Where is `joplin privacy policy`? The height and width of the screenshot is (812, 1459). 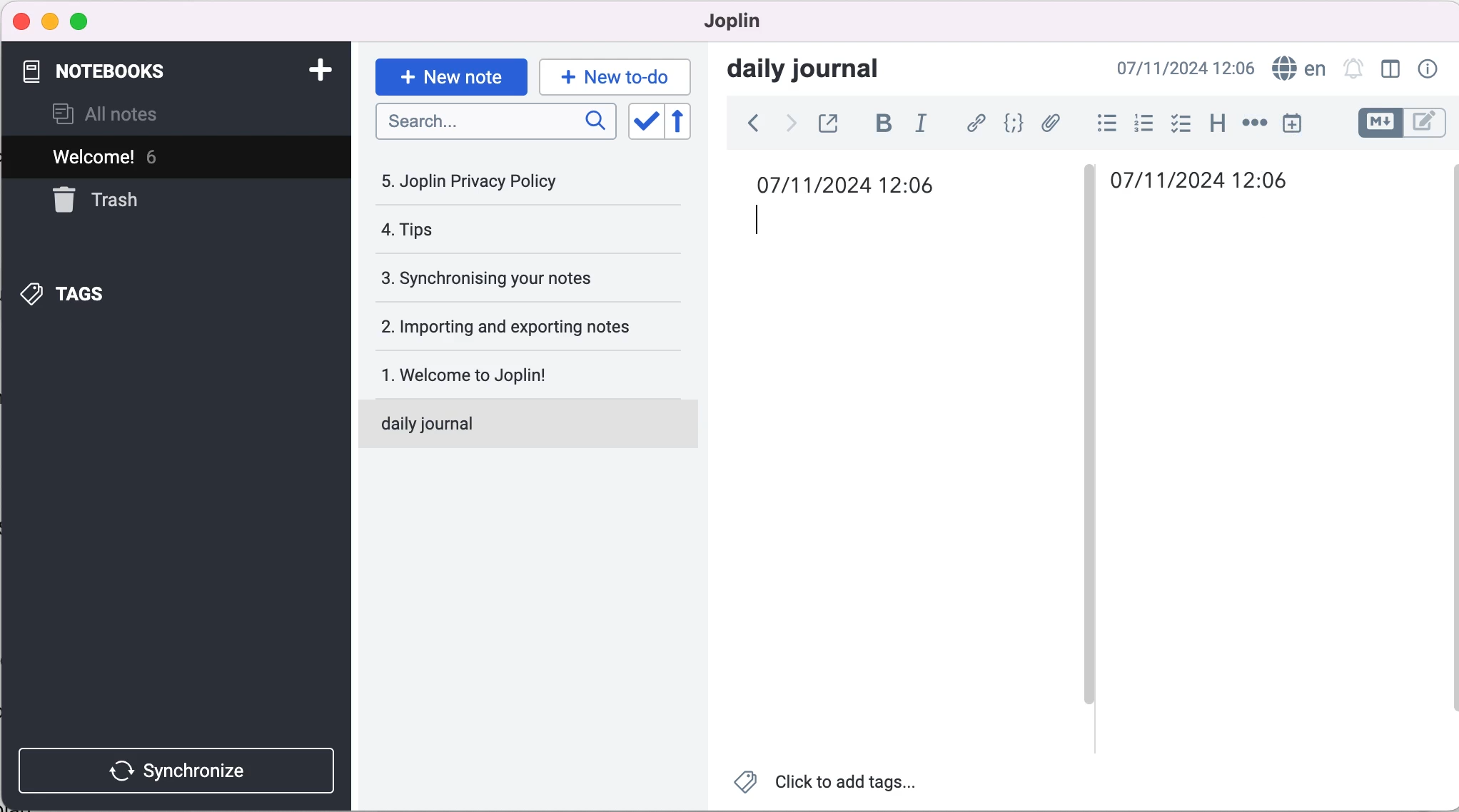 joplin privacy policy is located at coordinates (479, 181).